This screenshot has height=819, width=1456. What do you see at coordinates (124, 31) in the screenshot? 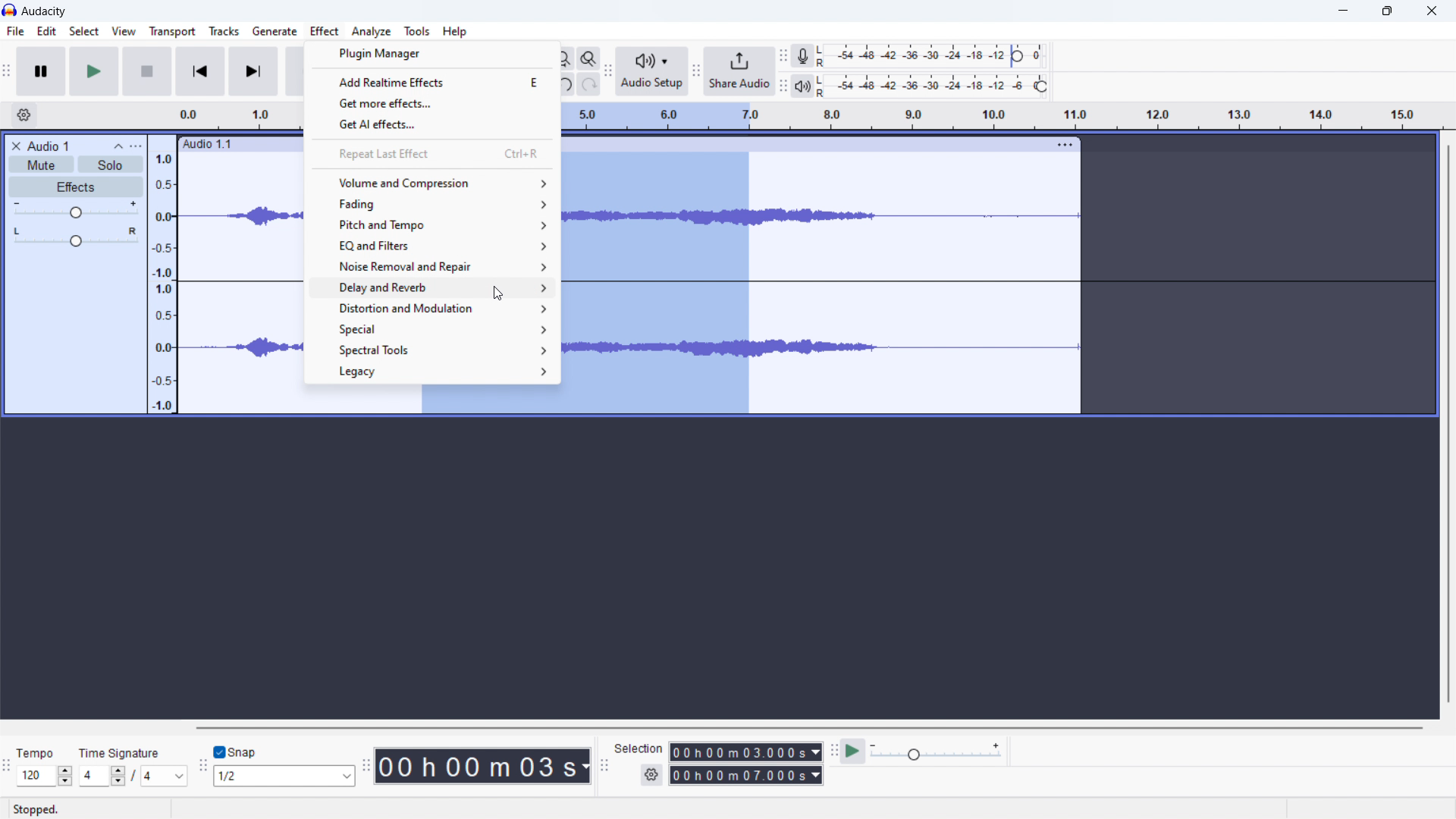
I see `view` at bounding box center [124, 31].